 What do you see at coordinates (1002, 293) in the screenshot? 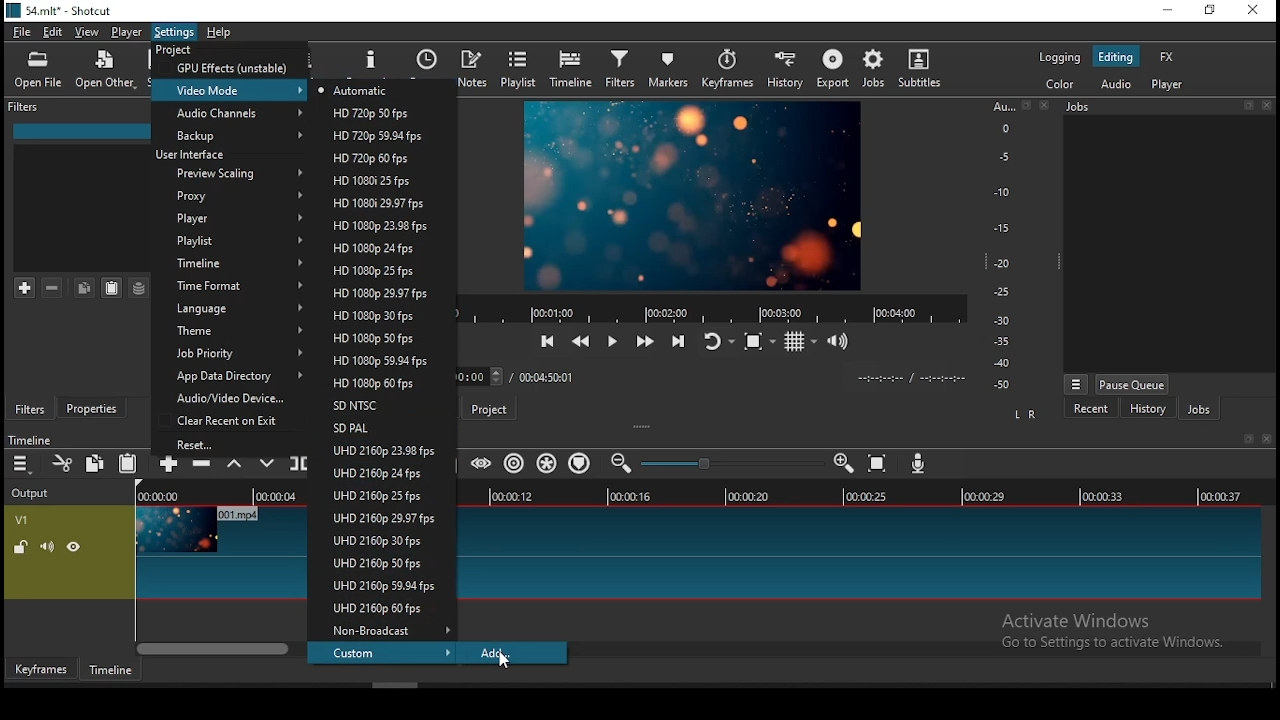
I see `-25` at bounding box center [1002, 293].